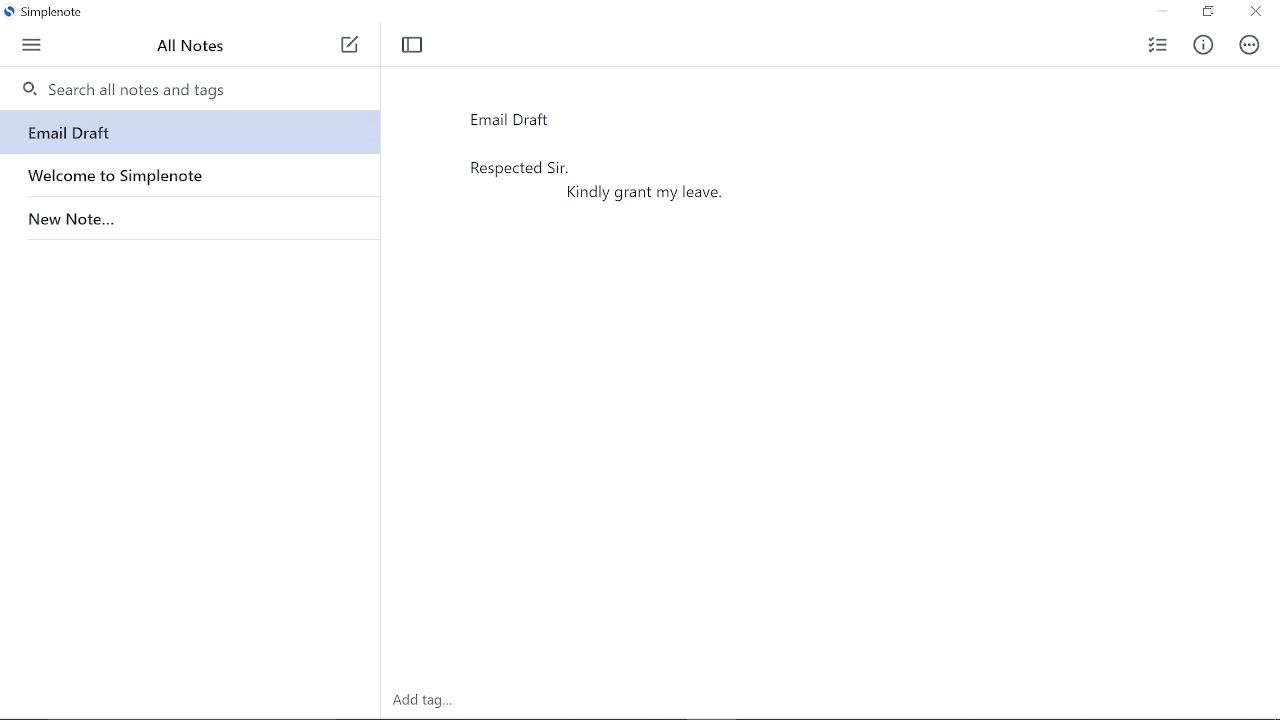 Image resolution: width=1280 pixels, height=720 pixels. Describe the element at coordinates (173, 87) in the screenshot. I see `Search all notes and tags` at that location.